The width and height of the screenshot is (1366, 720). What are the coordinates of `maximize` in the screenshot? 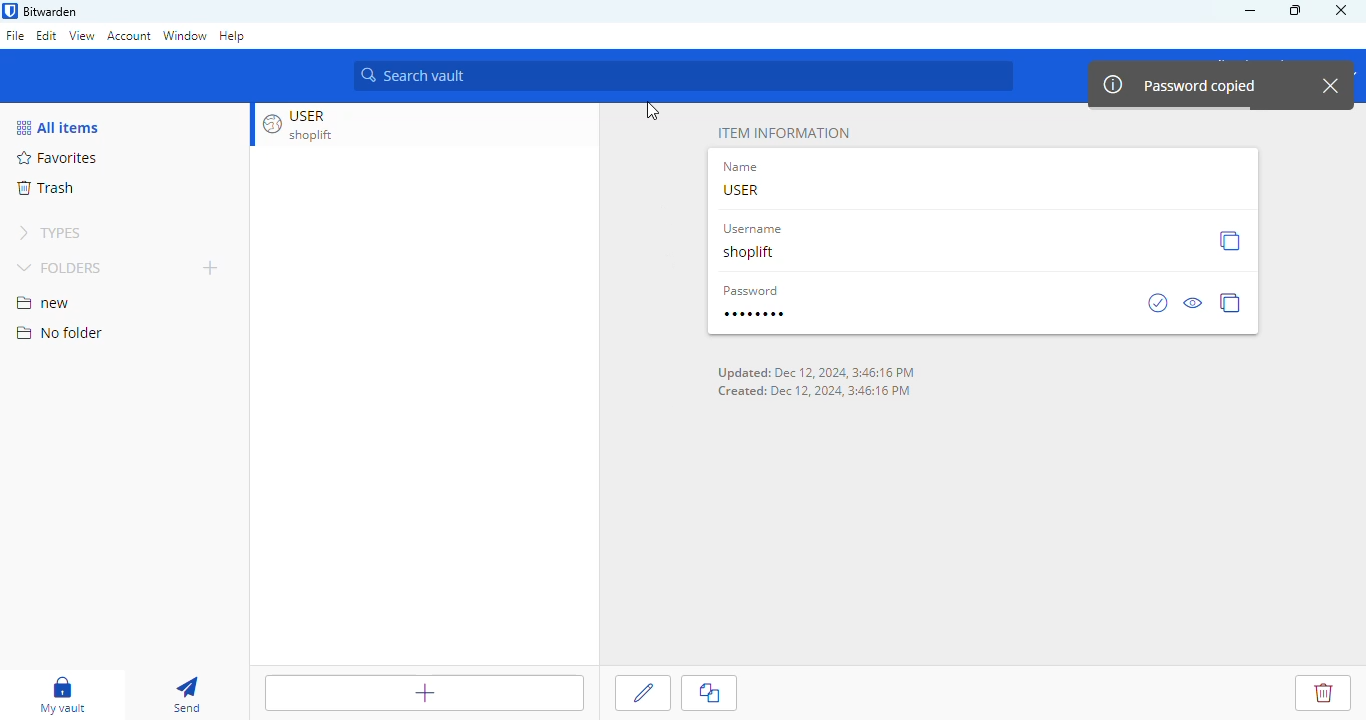 It's located at (1296, 10).